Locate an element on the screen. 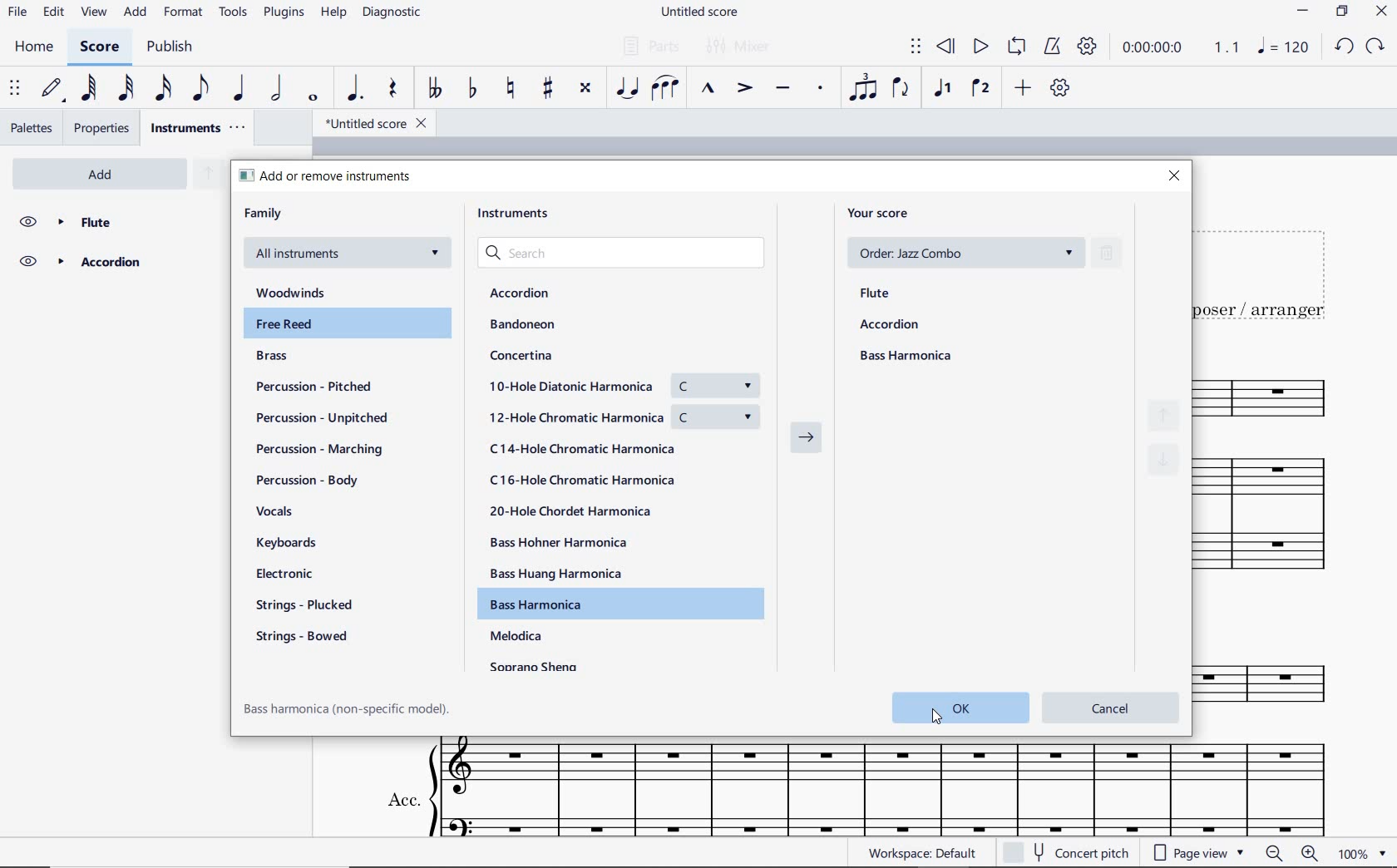  PLUGINS is located at coordinates (286, 13).